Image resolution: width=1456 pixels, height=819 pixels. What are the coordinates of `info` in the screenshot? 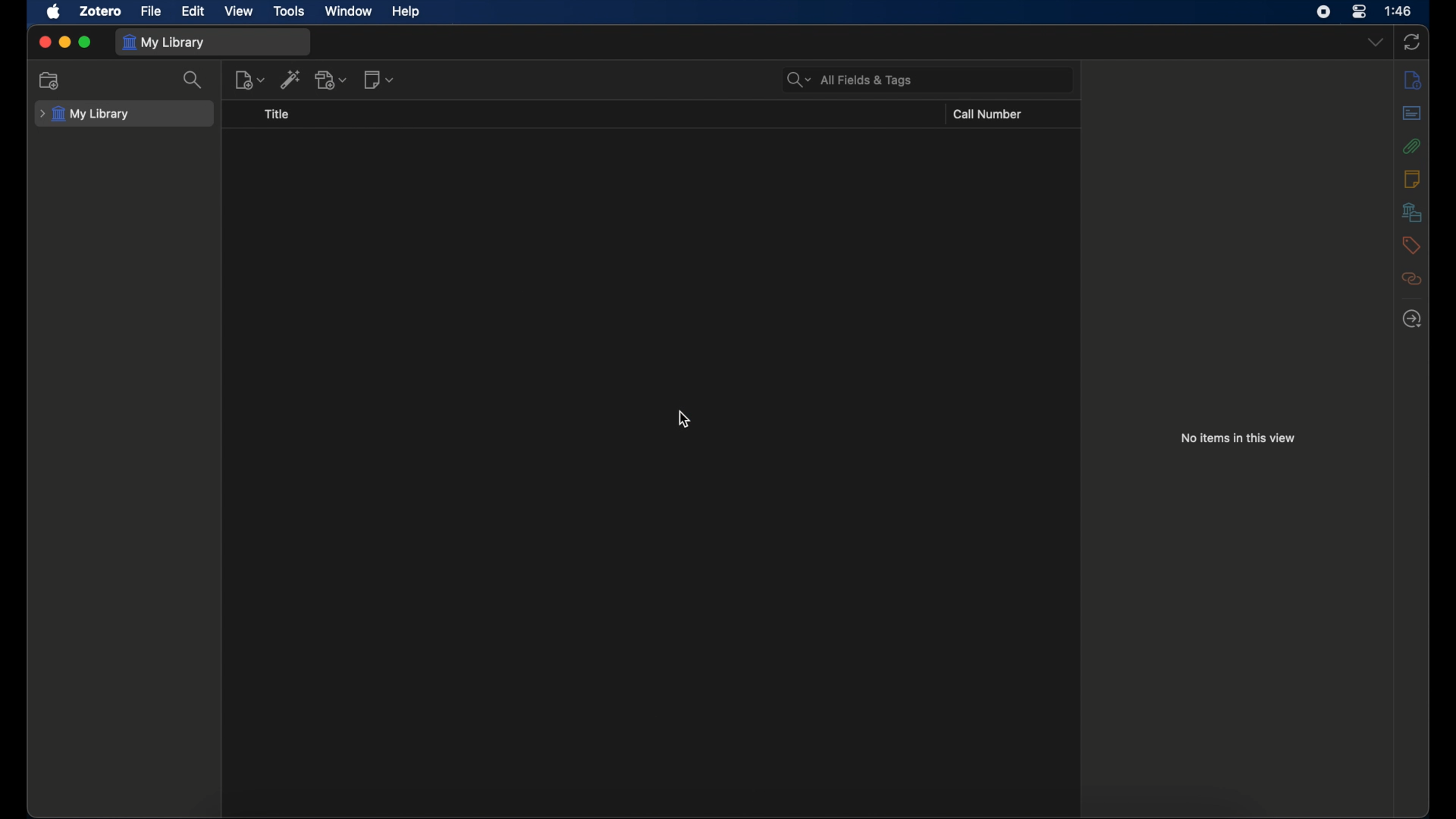 It's located at (1412, 80).